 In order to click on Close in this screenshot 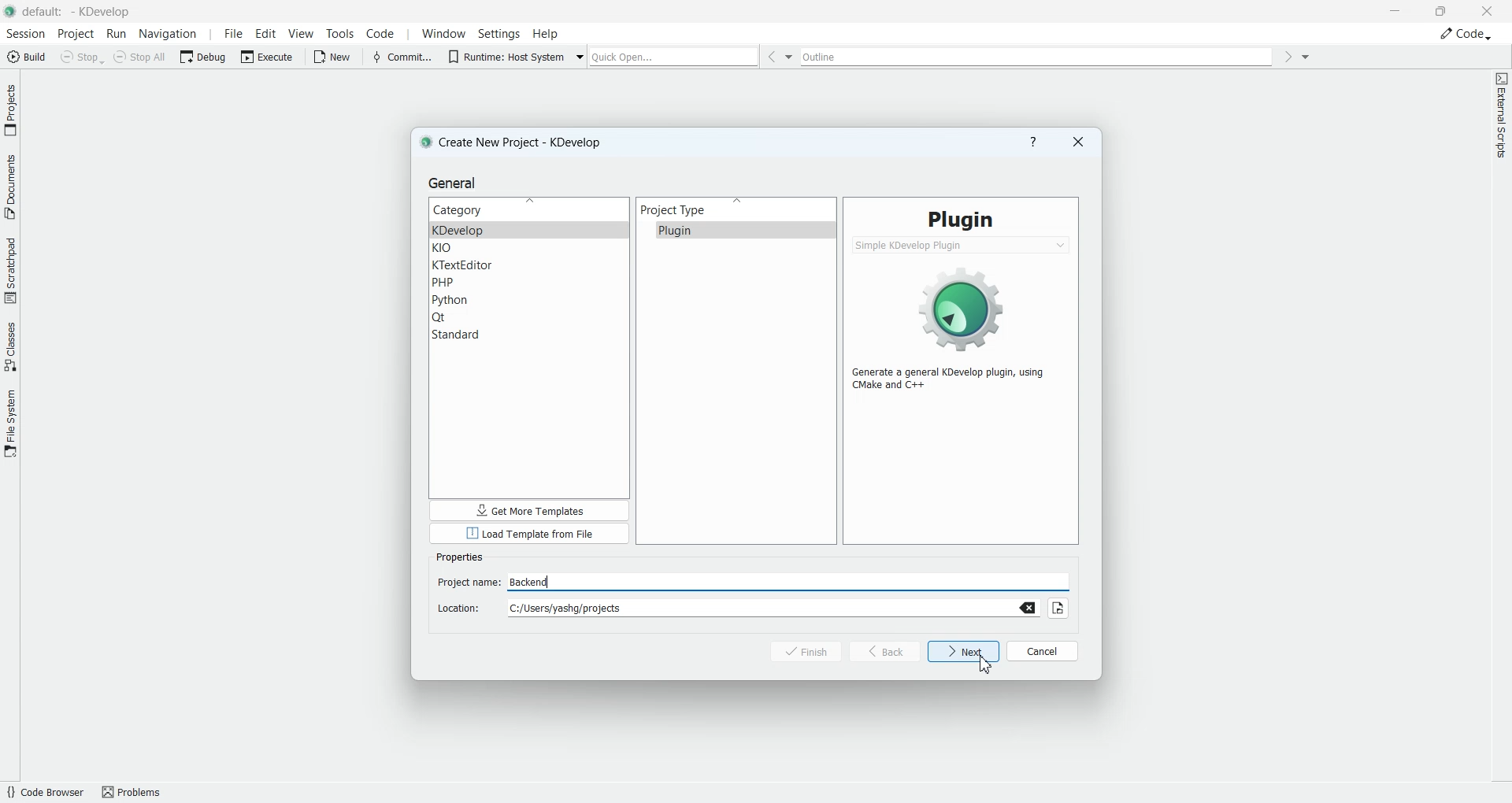, I will do `click(1487, 10)`.